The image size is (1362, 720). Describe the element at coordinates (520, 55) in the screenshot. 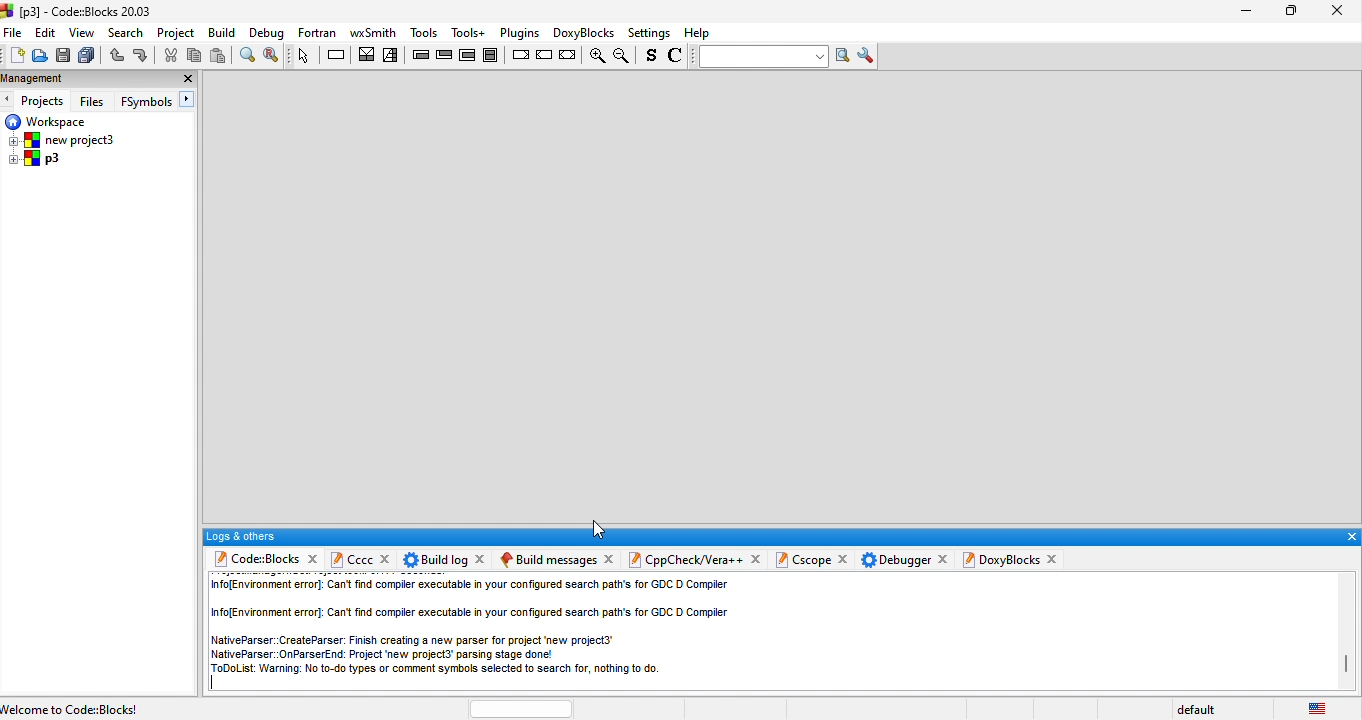

I see `break instruction` at that location.